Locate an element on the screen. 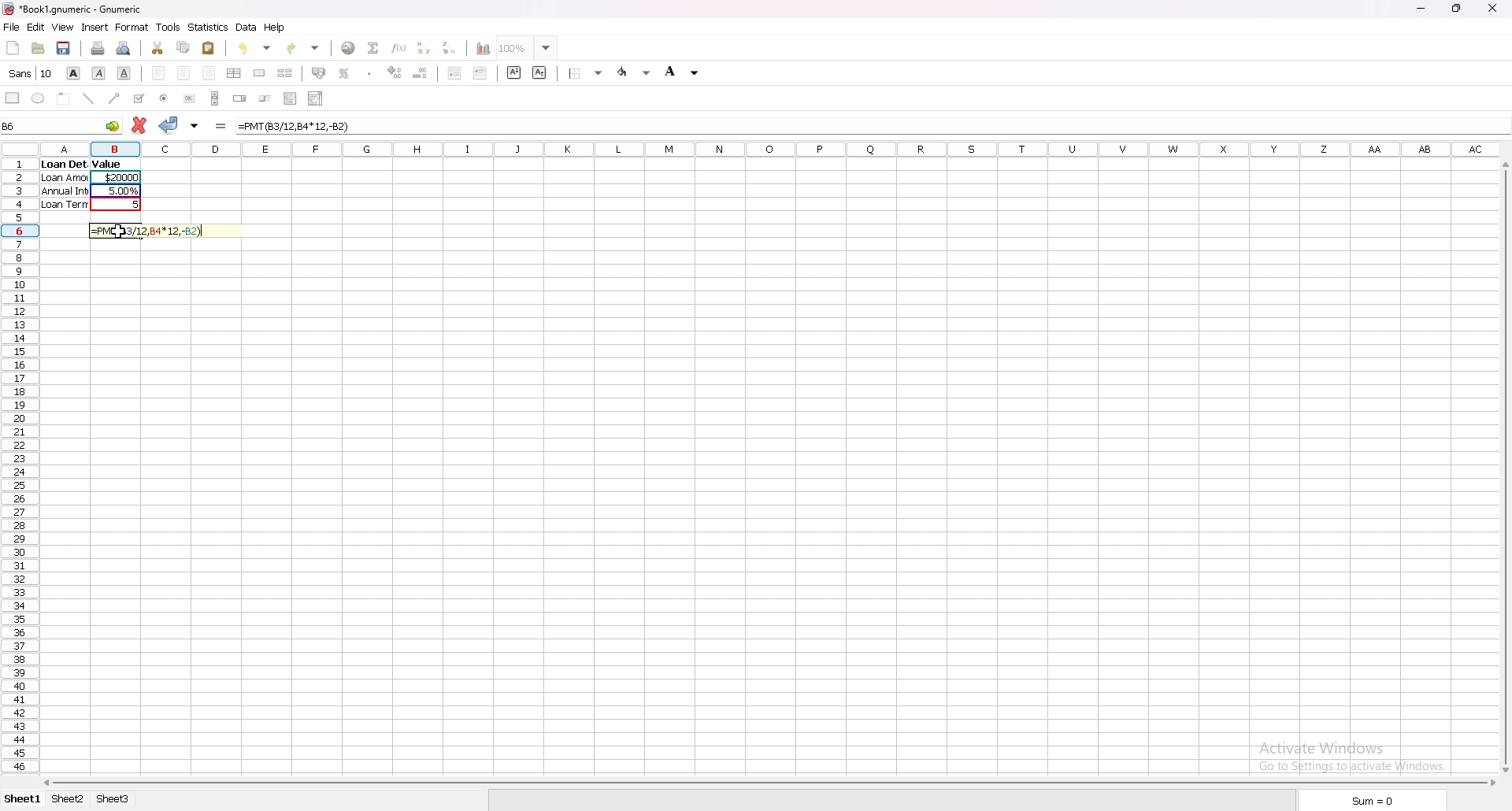  radio button is located at coordinates (165, 98).